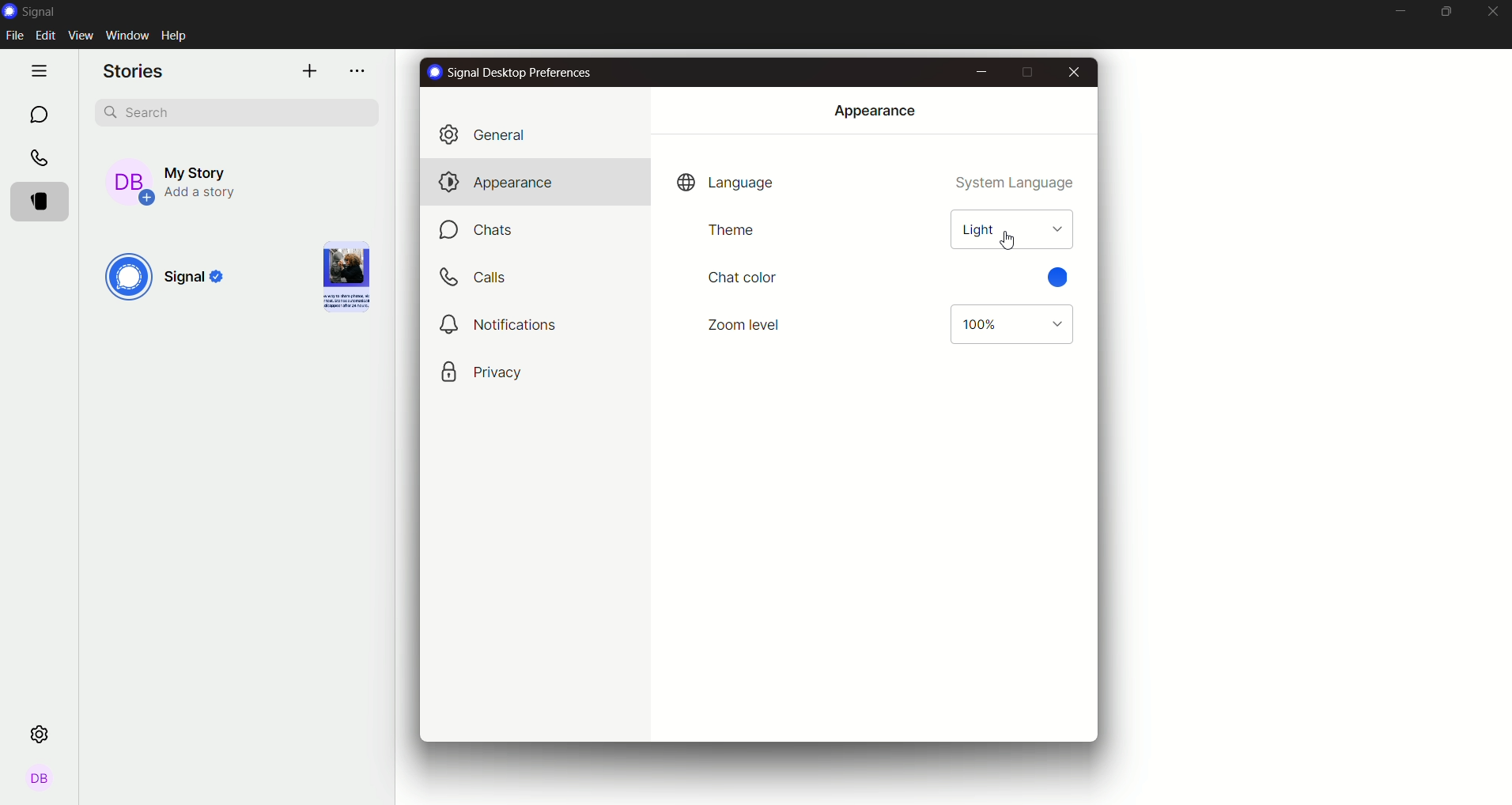  I want to click on minimize, so click(981, 70).